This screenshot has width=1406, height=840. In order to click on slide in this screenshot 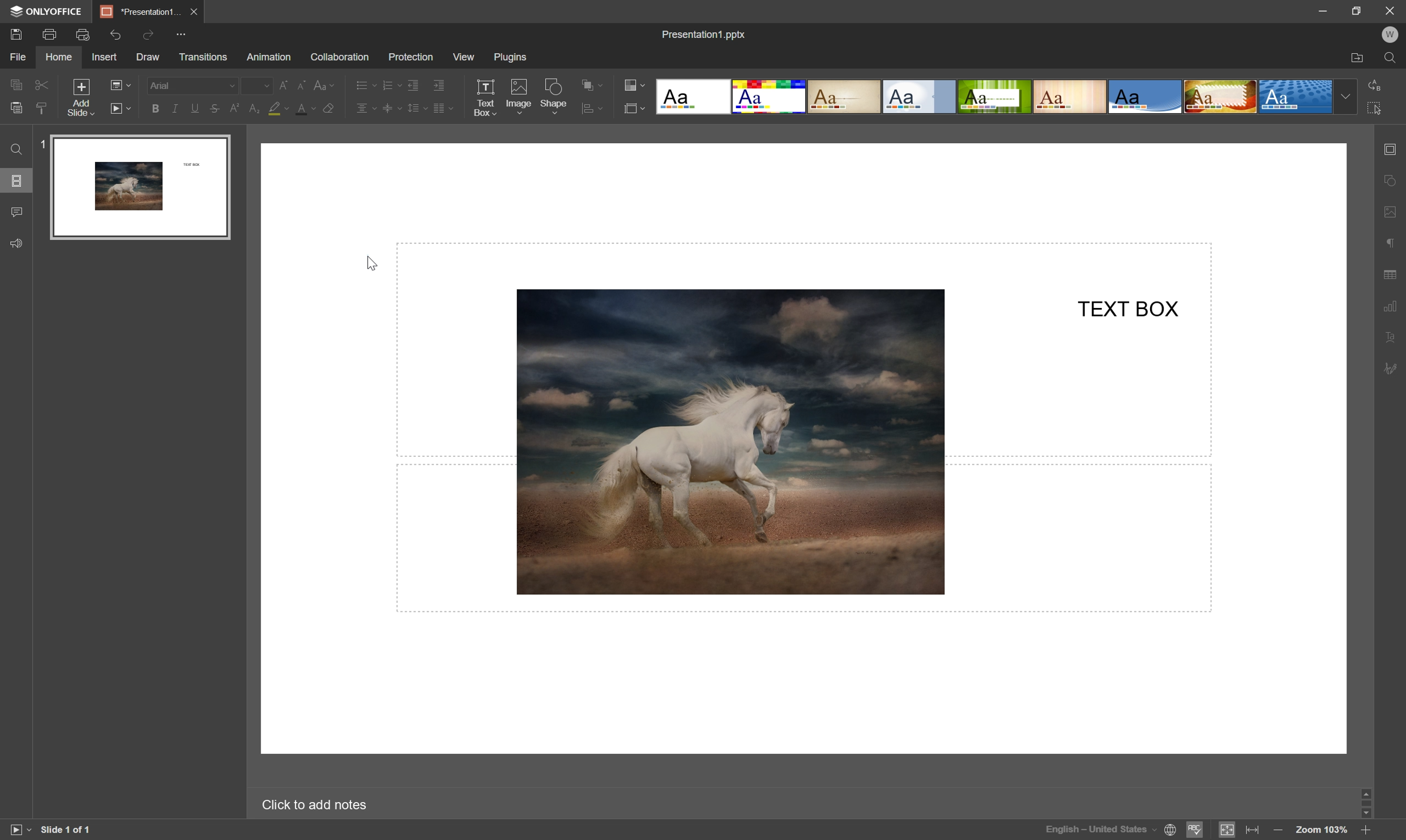, I will do `click(140, 187)`.